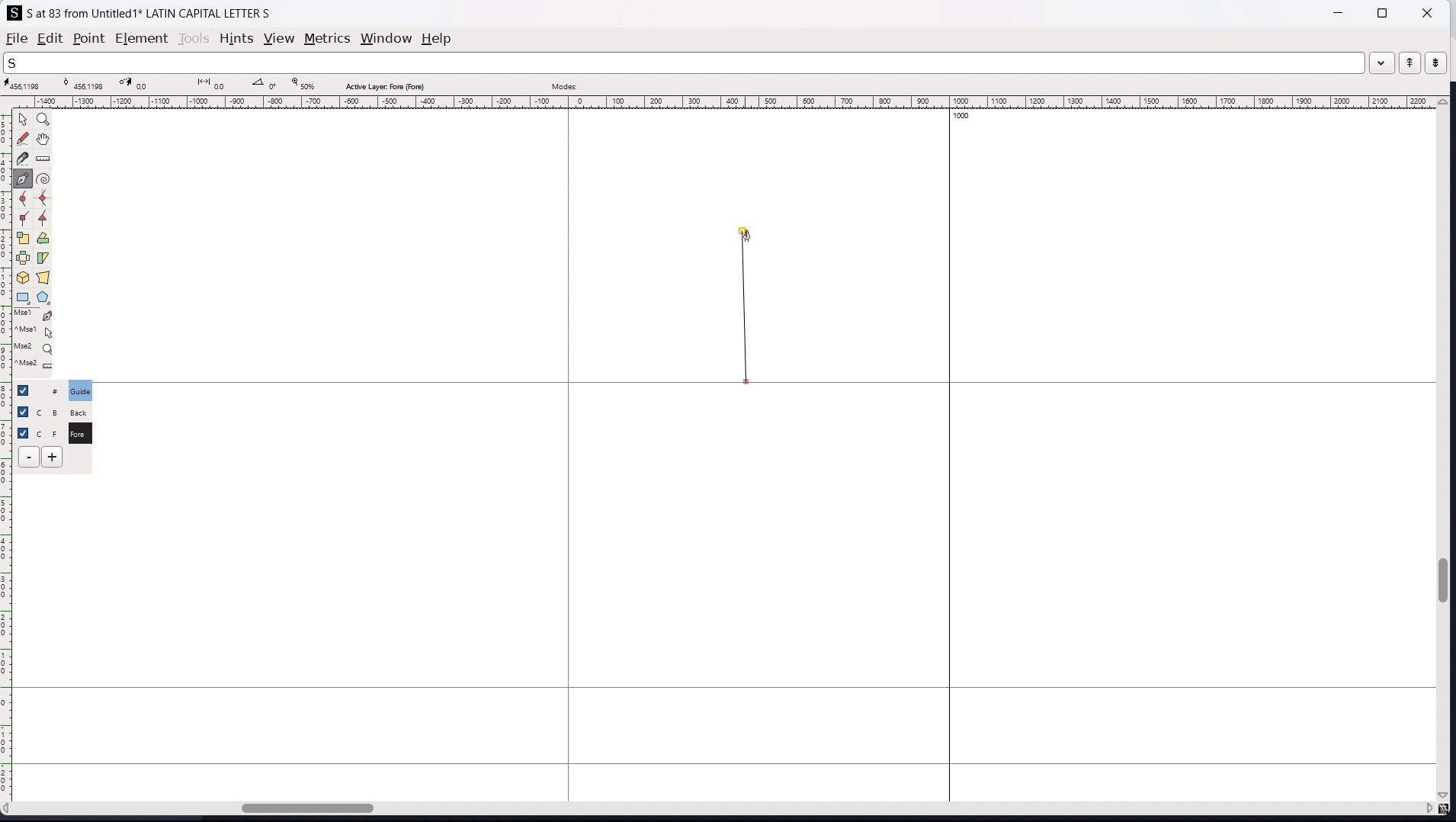 Image resolution: width=1456 pixels, height=822 pixels. Describe the element at coordinates (303, 85) in the screenshot. I see `zoom level` at that location.